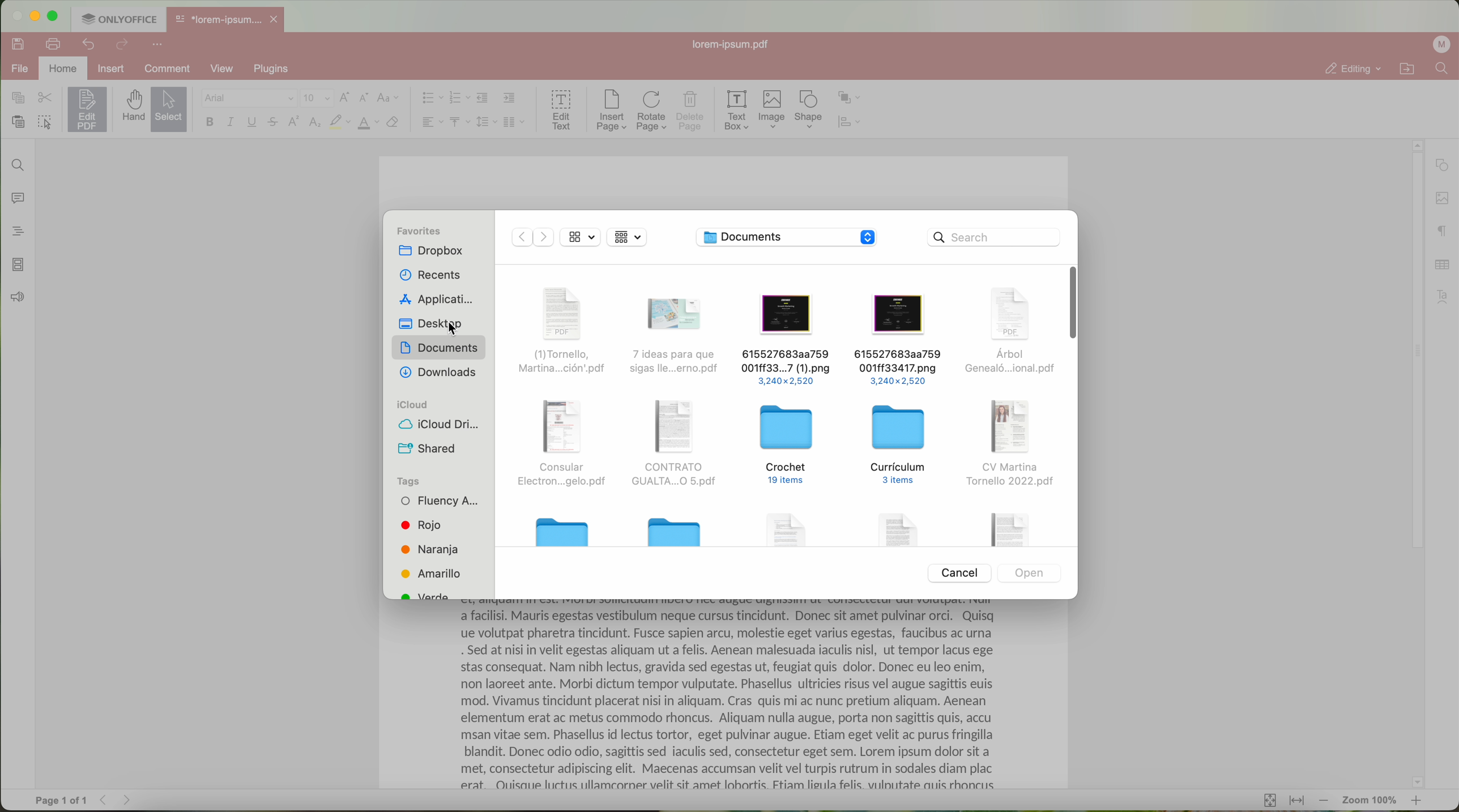 The height and width of the screenshot is (812, 1459). Describe the element at coordinates (253, 124) in the screenshot. I see `underline` at that location.